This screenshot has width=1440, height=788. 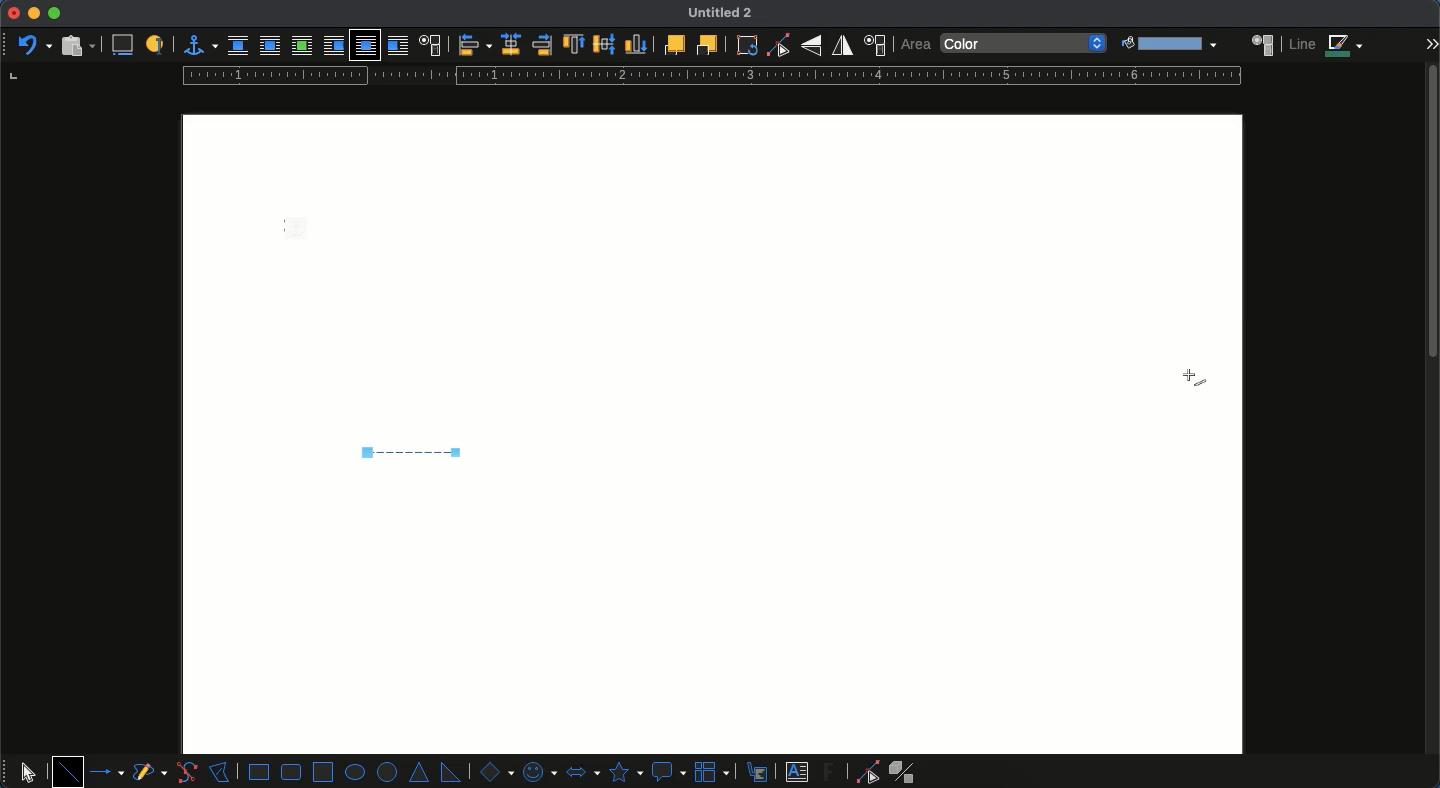 I want to click on Toggle point edit mode, so click(x=778, y=46).